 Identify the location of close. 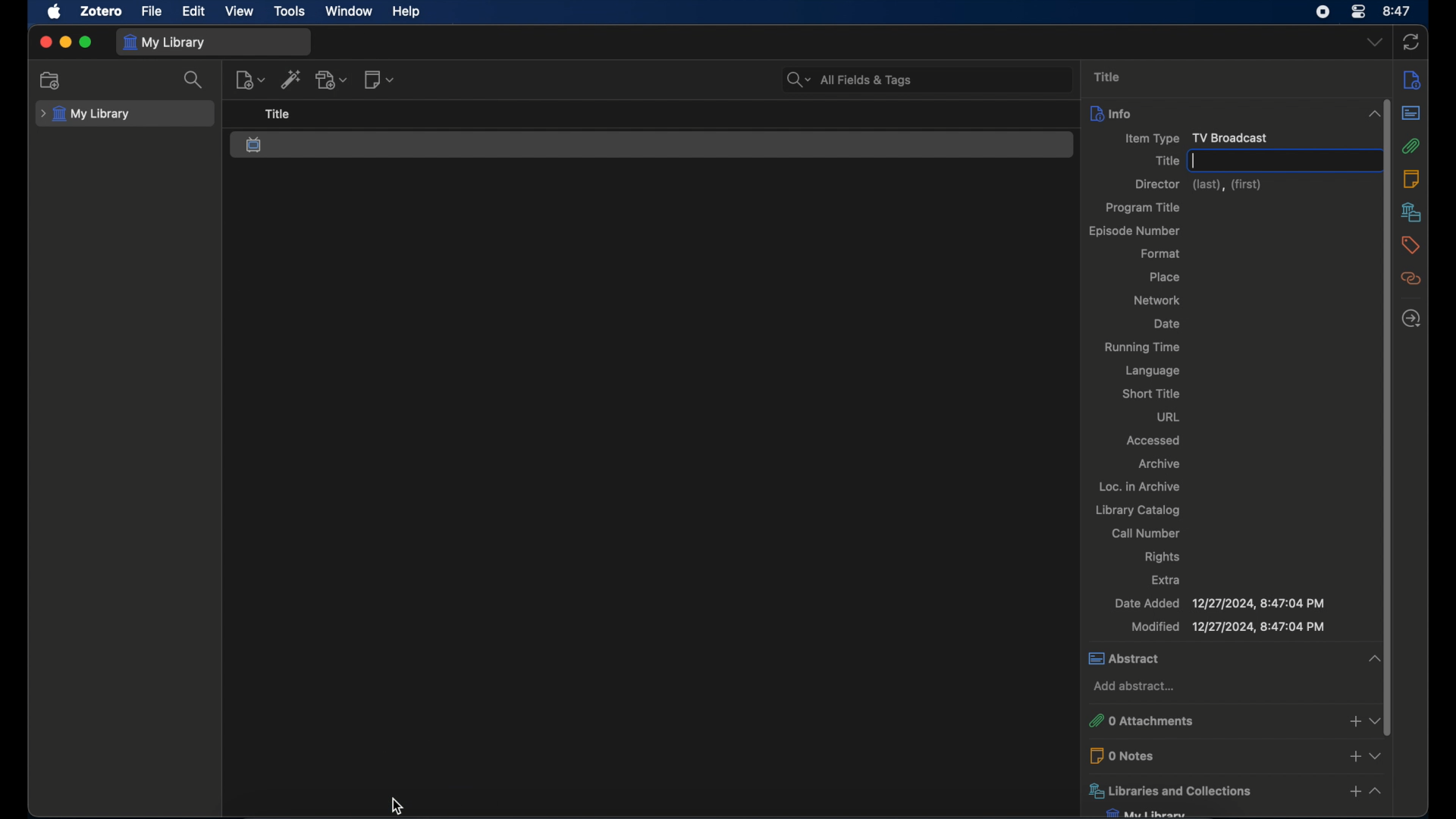
(45, 42).